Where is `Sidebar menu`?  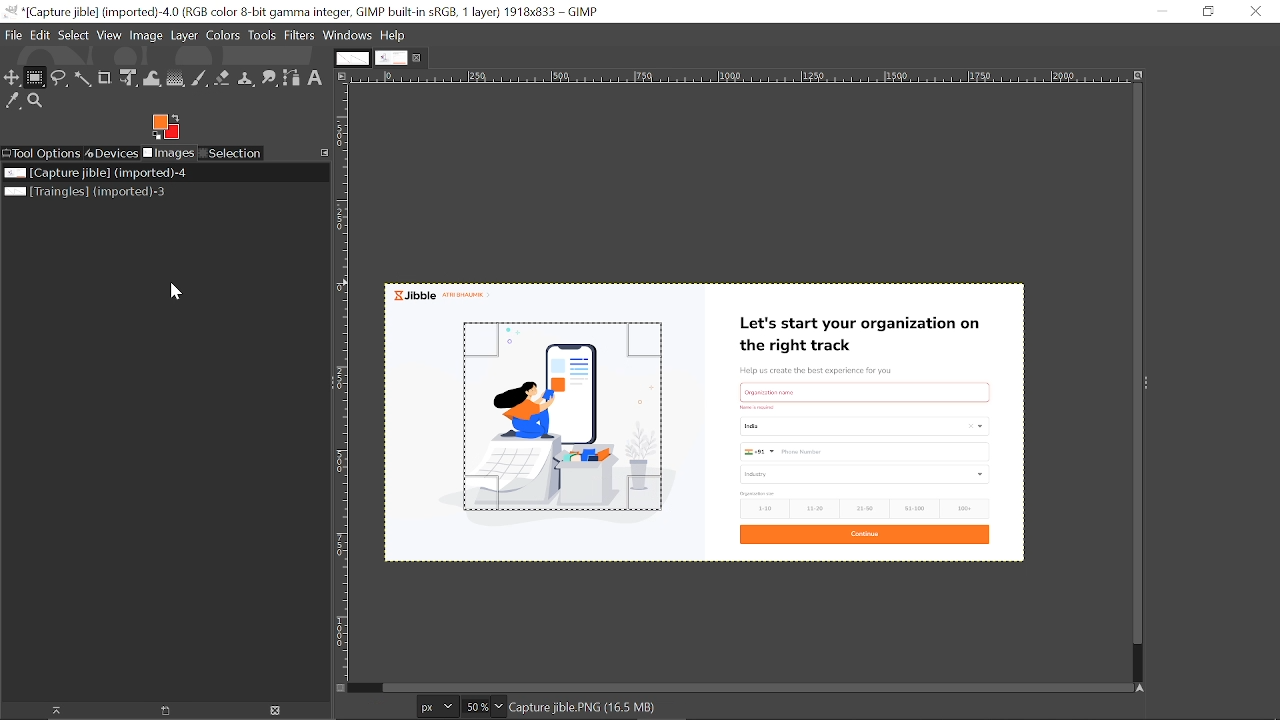 Sidebar menu is located at coordinates (328, 386).